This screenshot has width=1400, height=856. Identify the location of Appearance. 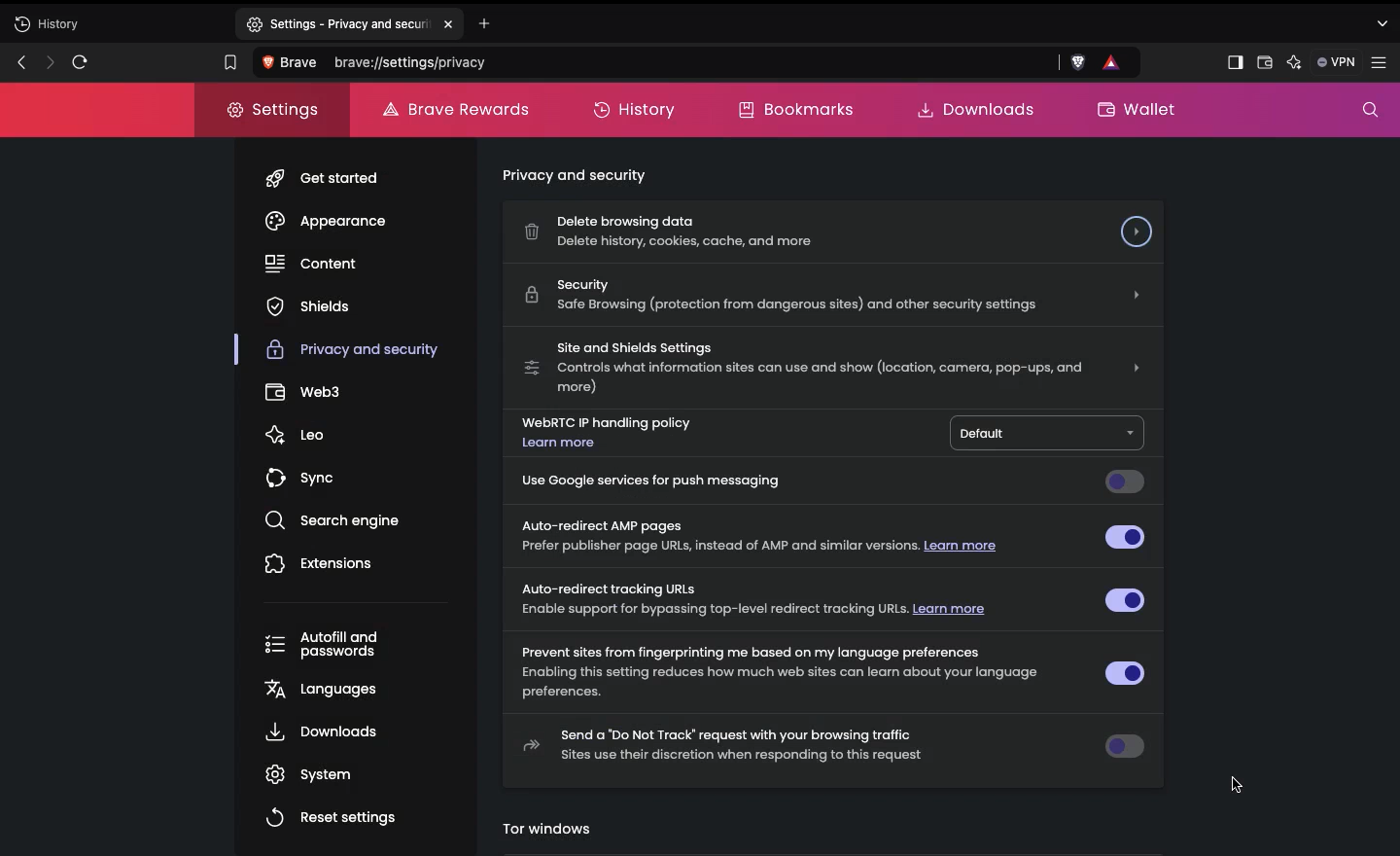
(333, 224).